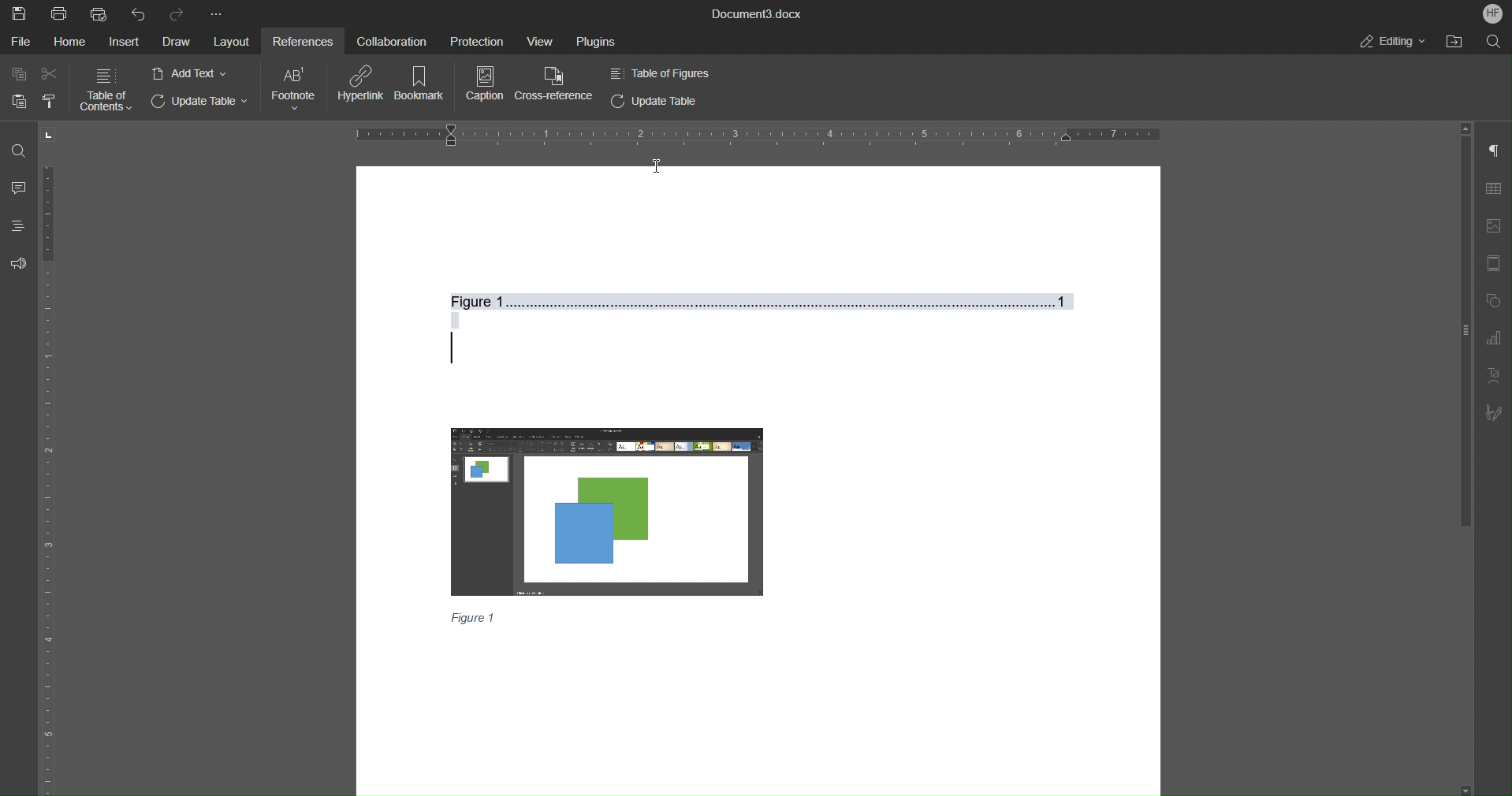 Image resolution: width=1512 pixels, height=796 pixels. I want to click on Hyperlink, so click(363, 85).